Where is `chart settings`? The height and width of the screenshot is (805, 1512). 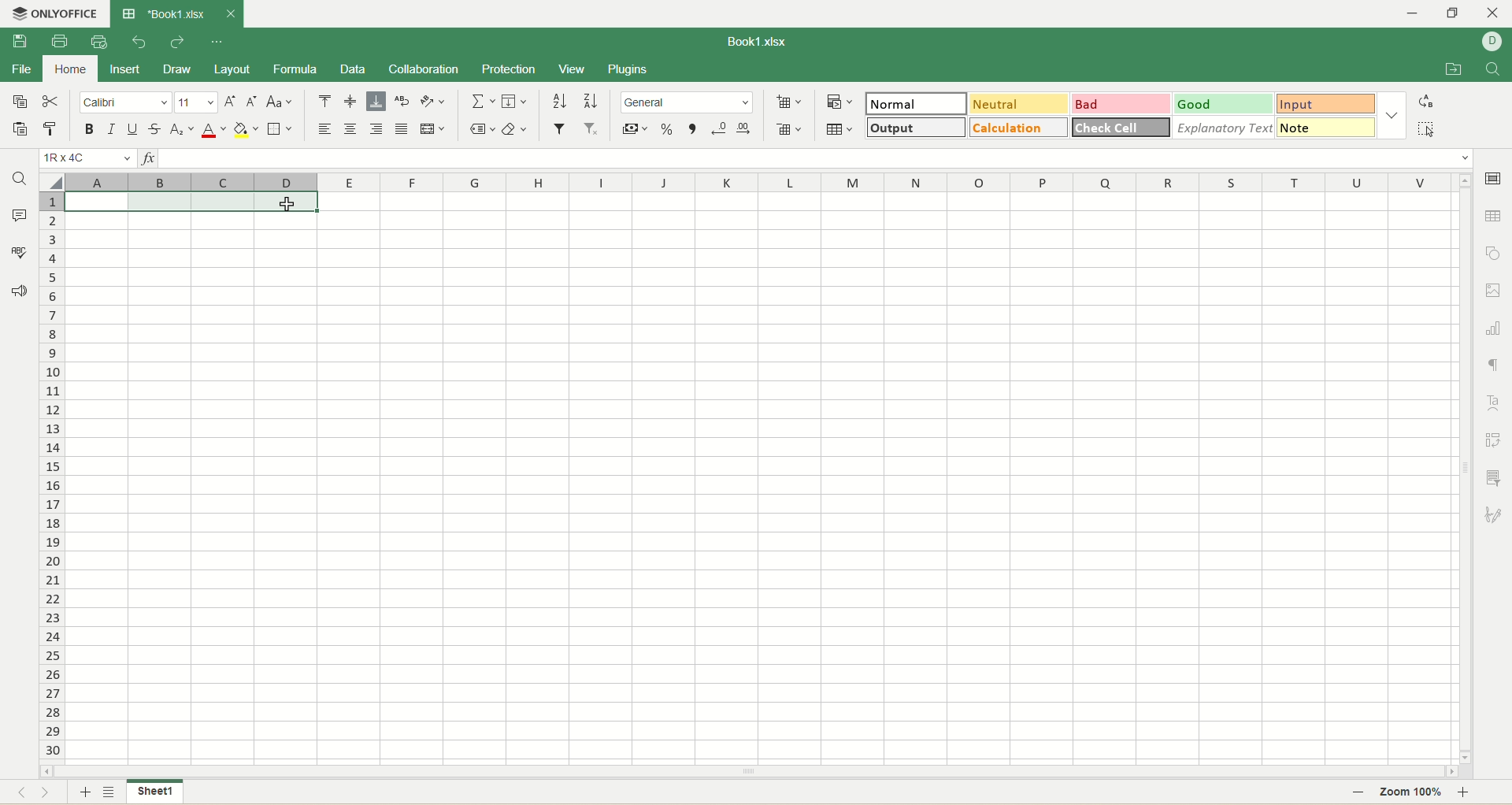
chart settings is located at coordinates (1494, 327).